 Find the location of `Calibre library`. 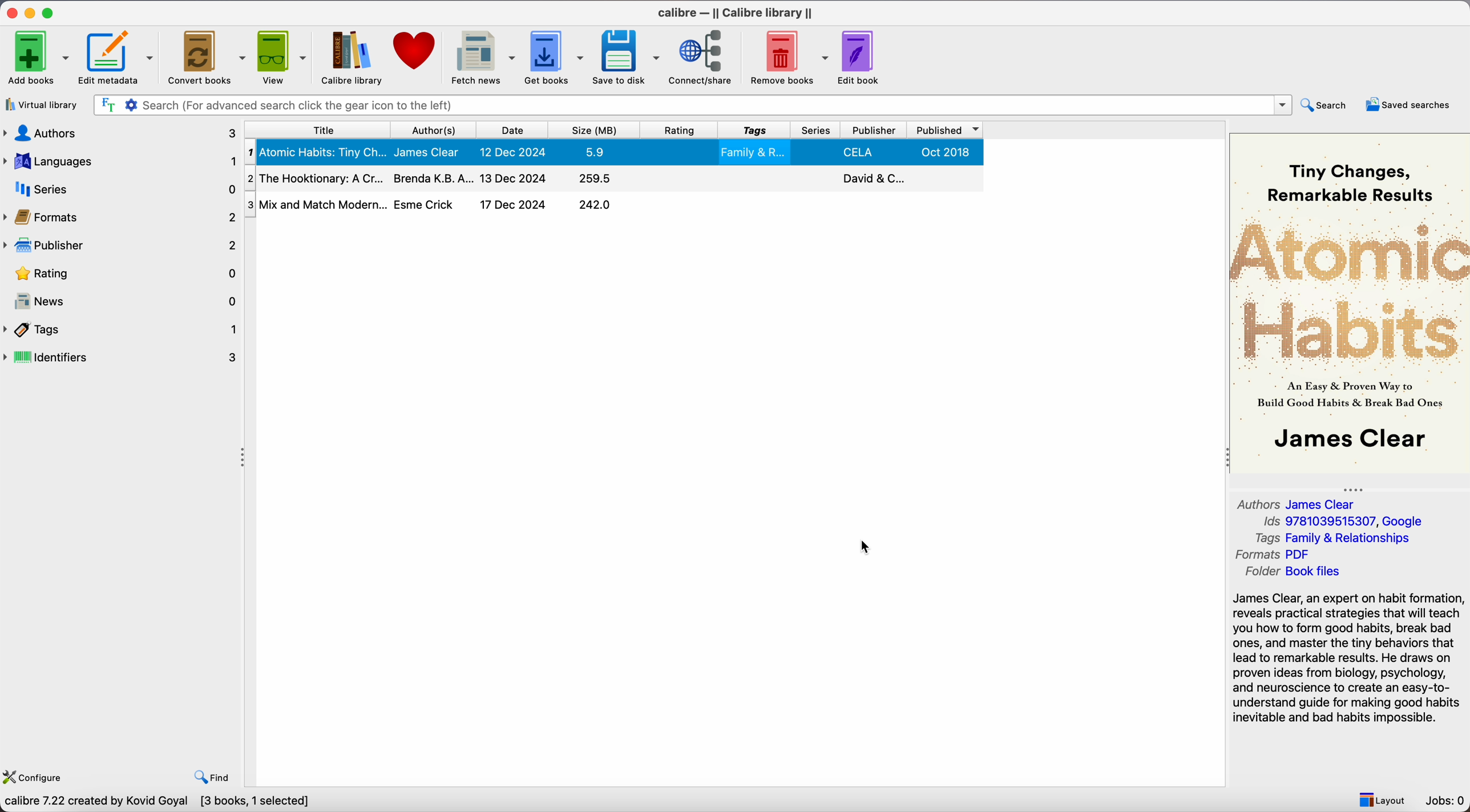

Calibre library is located at coordinates (350, 56).